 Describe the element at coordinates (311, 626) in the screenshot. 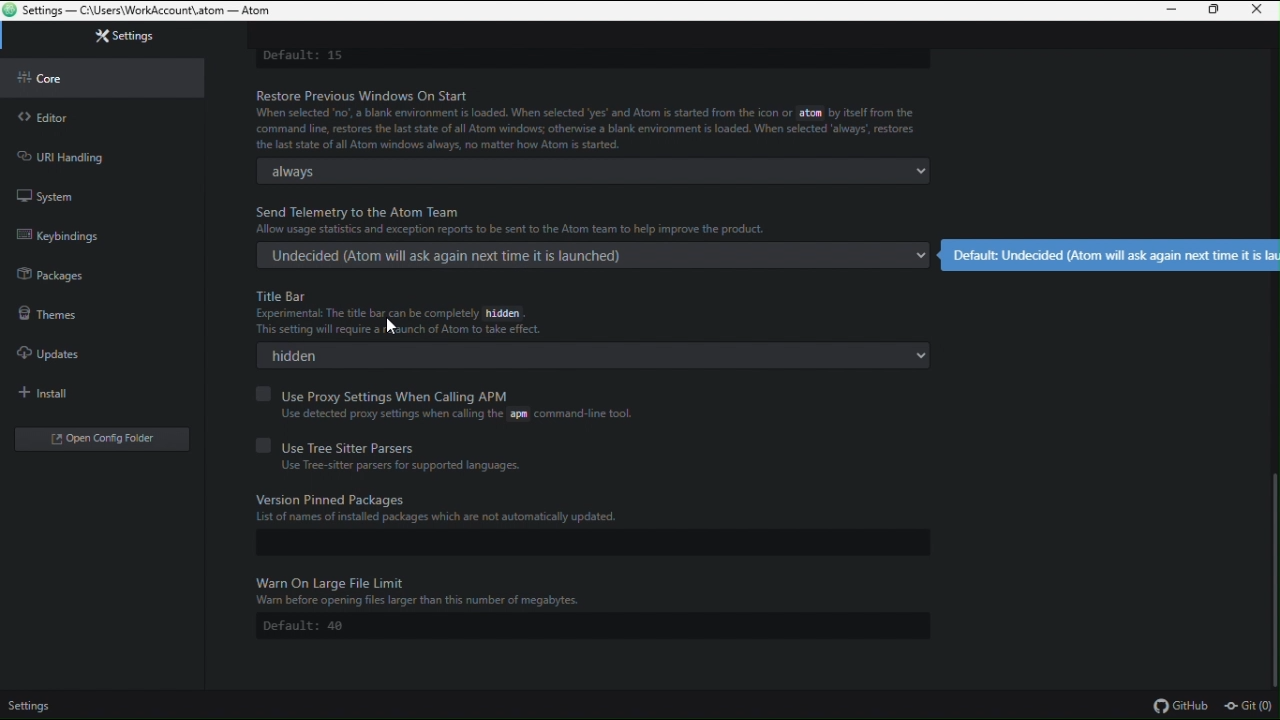

I see `Default: 48` at that location.